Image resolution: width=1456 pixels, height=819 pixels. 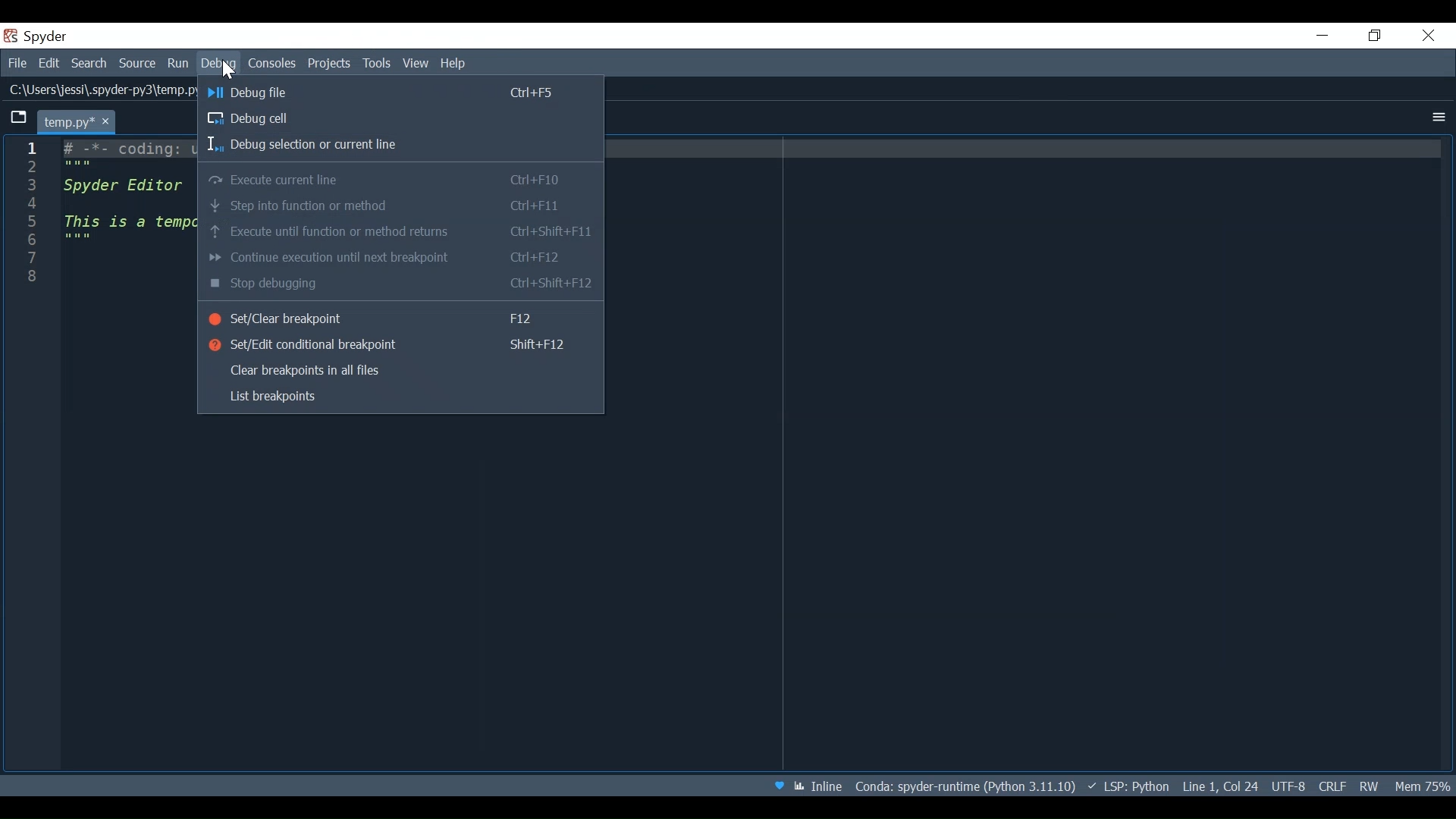 What do you see at coordinates (137, 64) in the screenshot?
I see `Source` at bounding box center [137, 64].